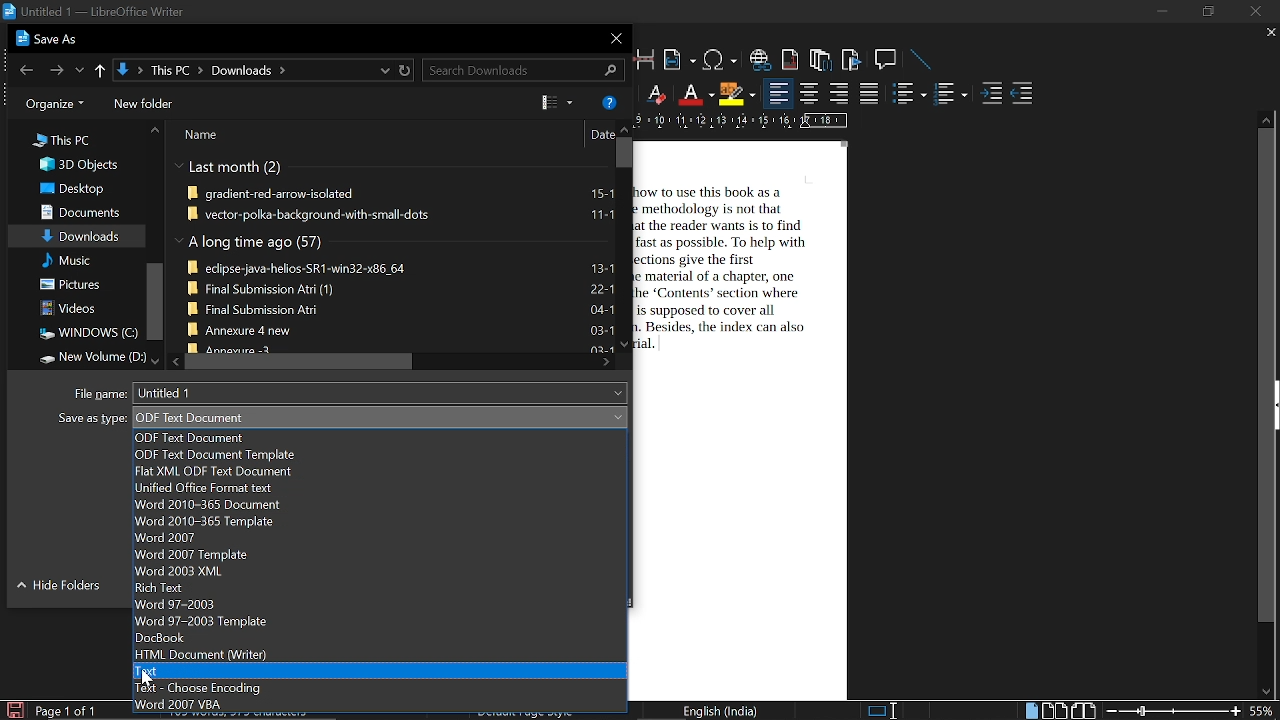  I want to click on word 97, so click(376, 587).